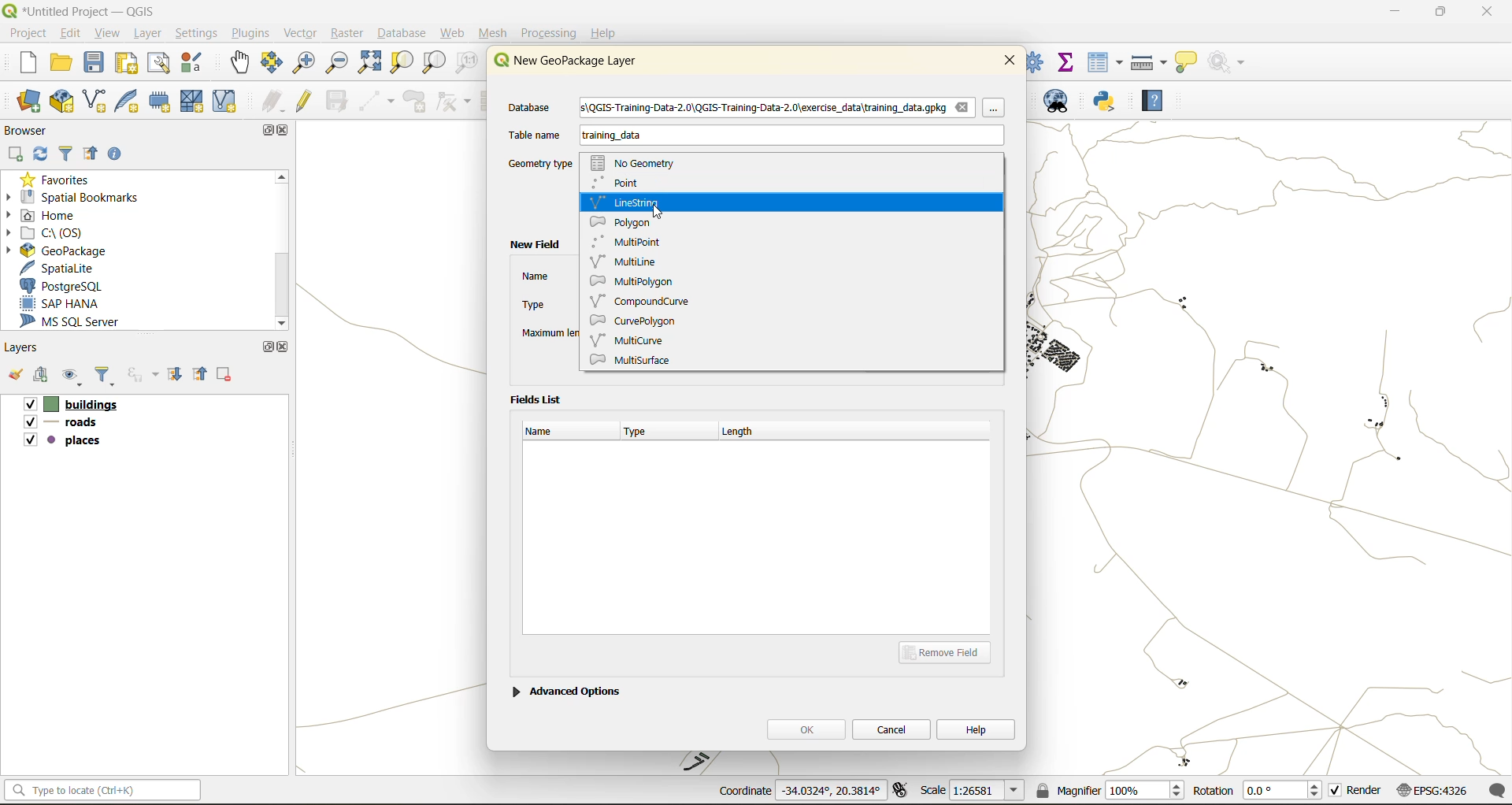 The image size is (1512, 805). What do you see at coordinates (66, 268) in the screenshot?
I see `spatialite` at bounding box center [66, 268].